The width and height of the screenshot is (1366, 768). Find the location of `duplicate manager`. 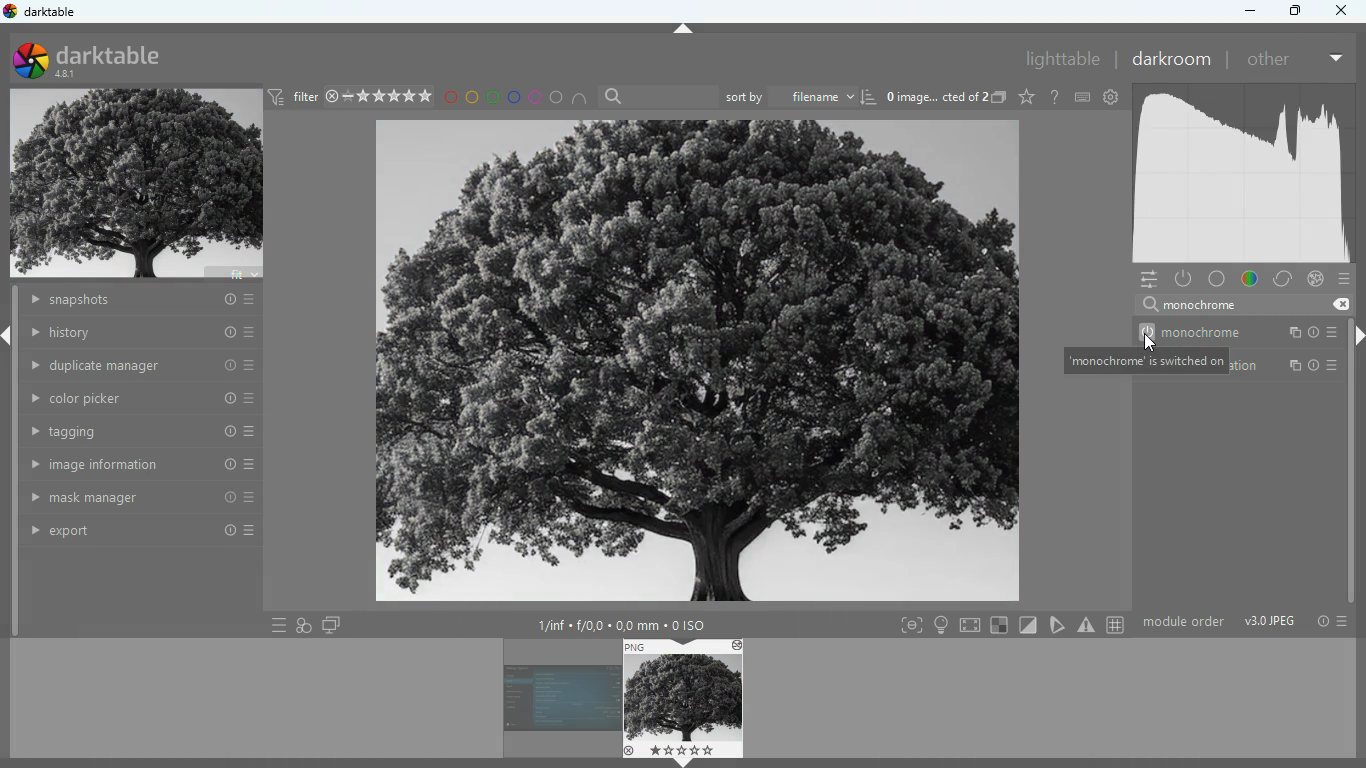

duplicate manager is located at coordinates (141, 365).